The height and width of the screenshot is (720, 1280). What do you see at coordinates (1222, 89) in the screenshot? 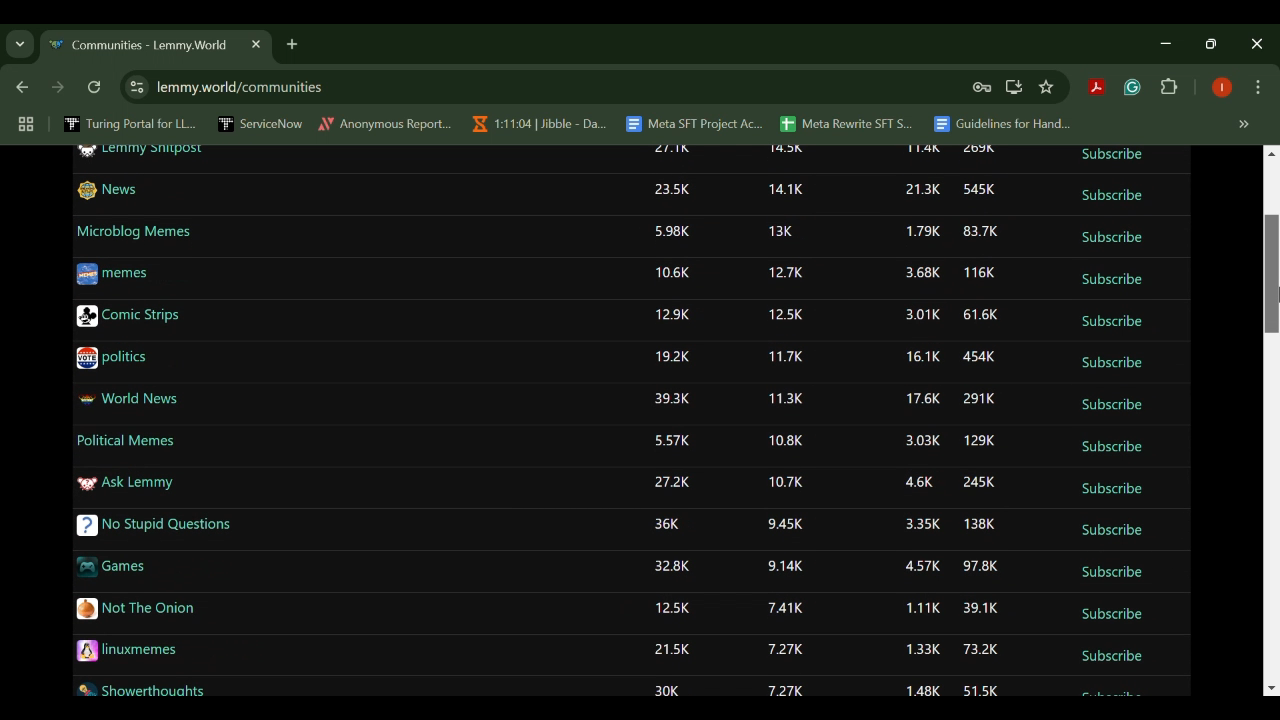
I see `Browser Profile ` at bounding box center [1222, 89].